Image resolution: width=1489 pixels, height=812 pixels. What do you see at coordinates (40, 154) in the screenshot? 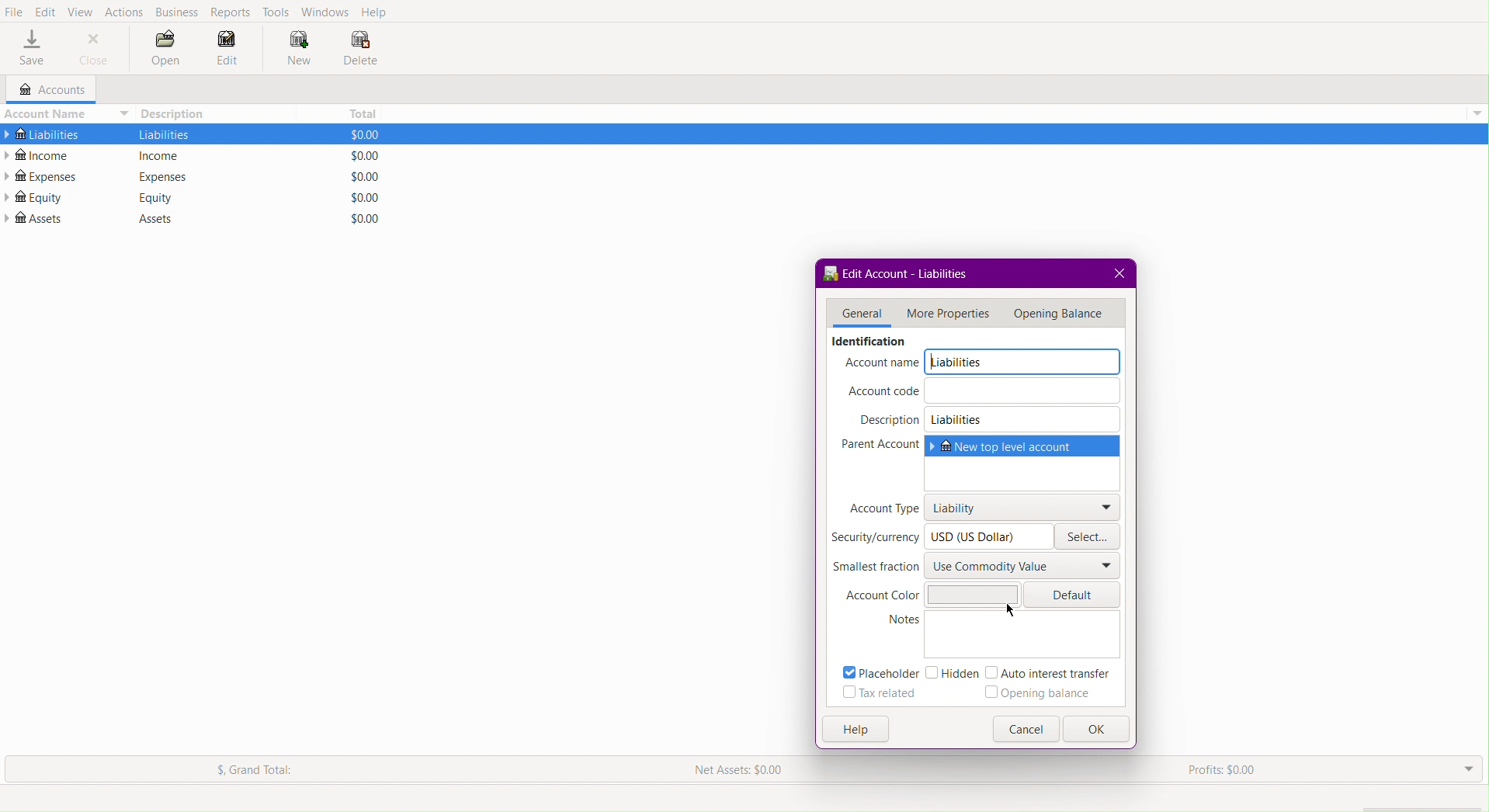
I see `Income` at bounding box center [40, 154].